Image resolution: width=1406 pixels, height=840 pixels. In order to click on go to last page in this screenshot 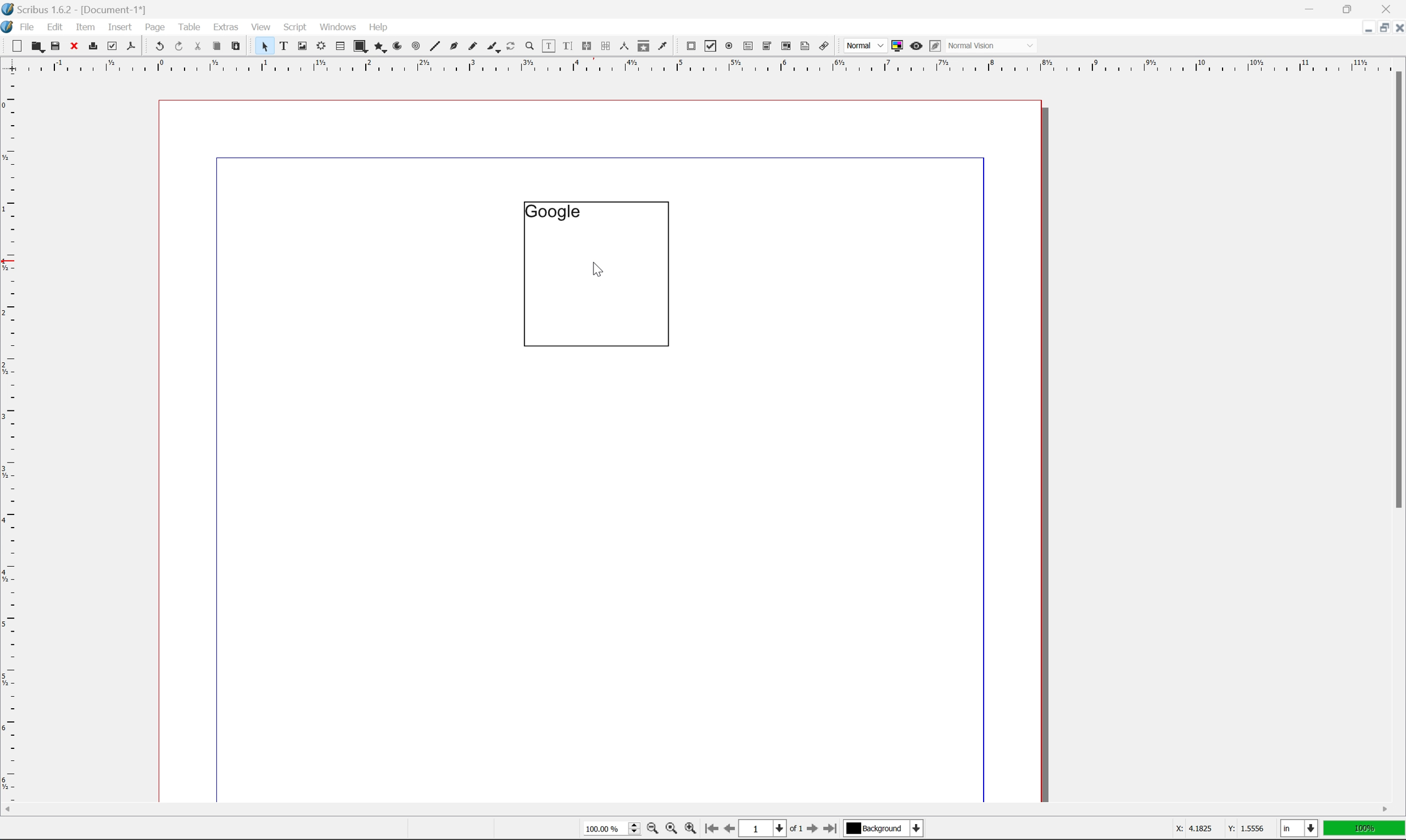, I will do `click(830, 829)`.